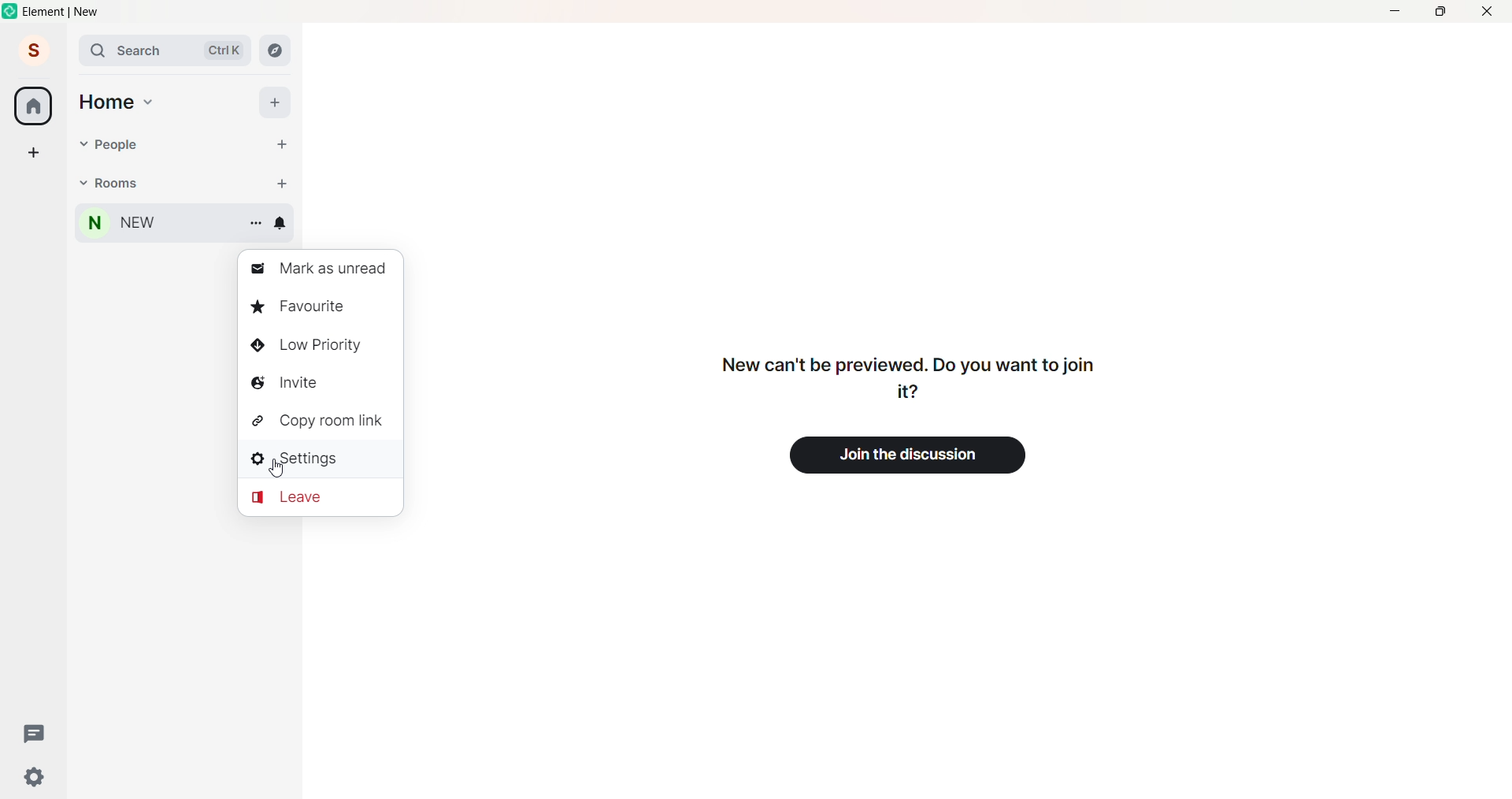 The width and height of the screenshot is (1512, 799). I want to click on rooms, so click(114, 185).